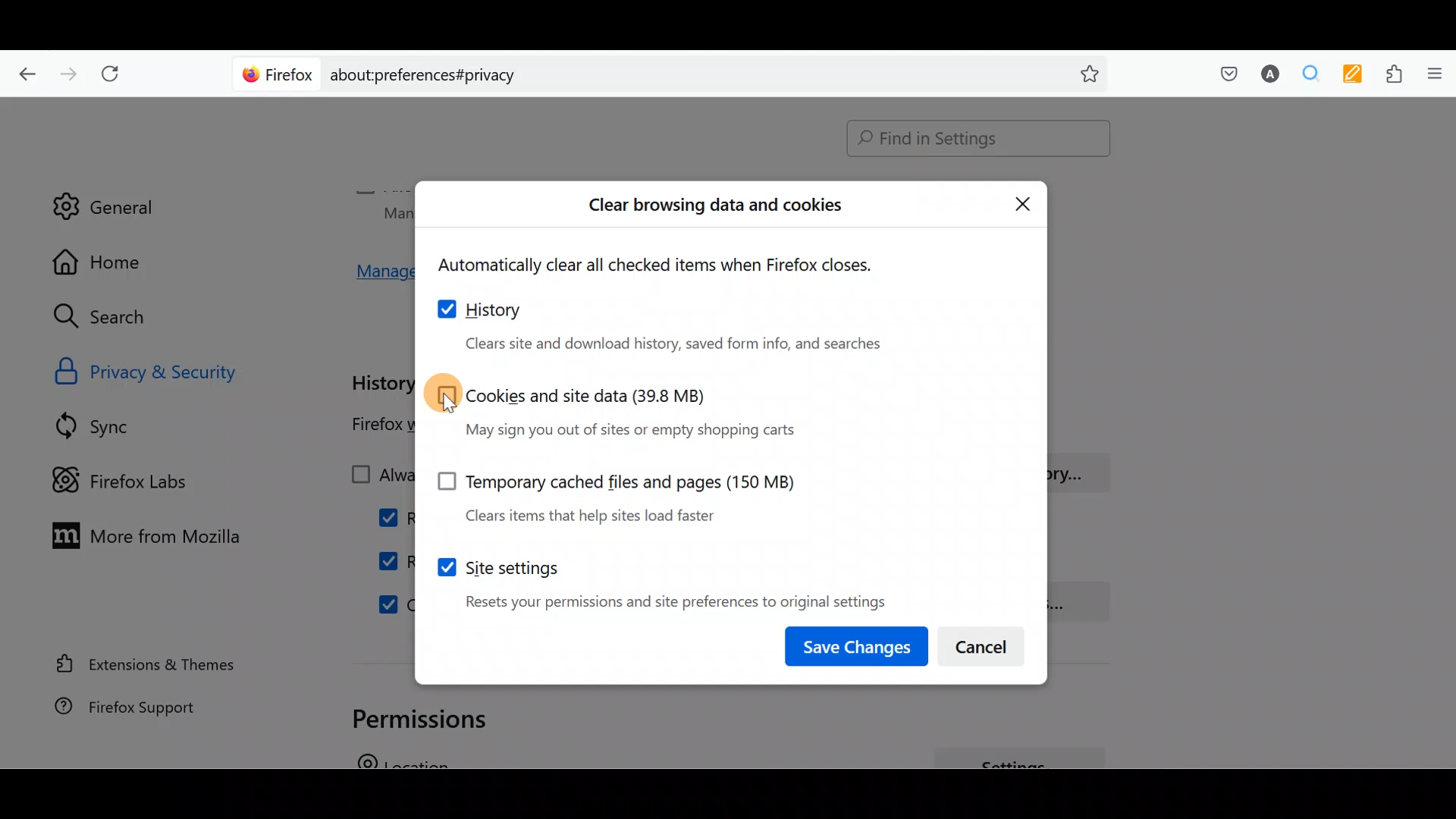 The width and height of the screenshot is (1456, 819). What do you see at coordinates (115, 74) in the screenshot?
I see `Reload current page` at bounding box center [115, 74].